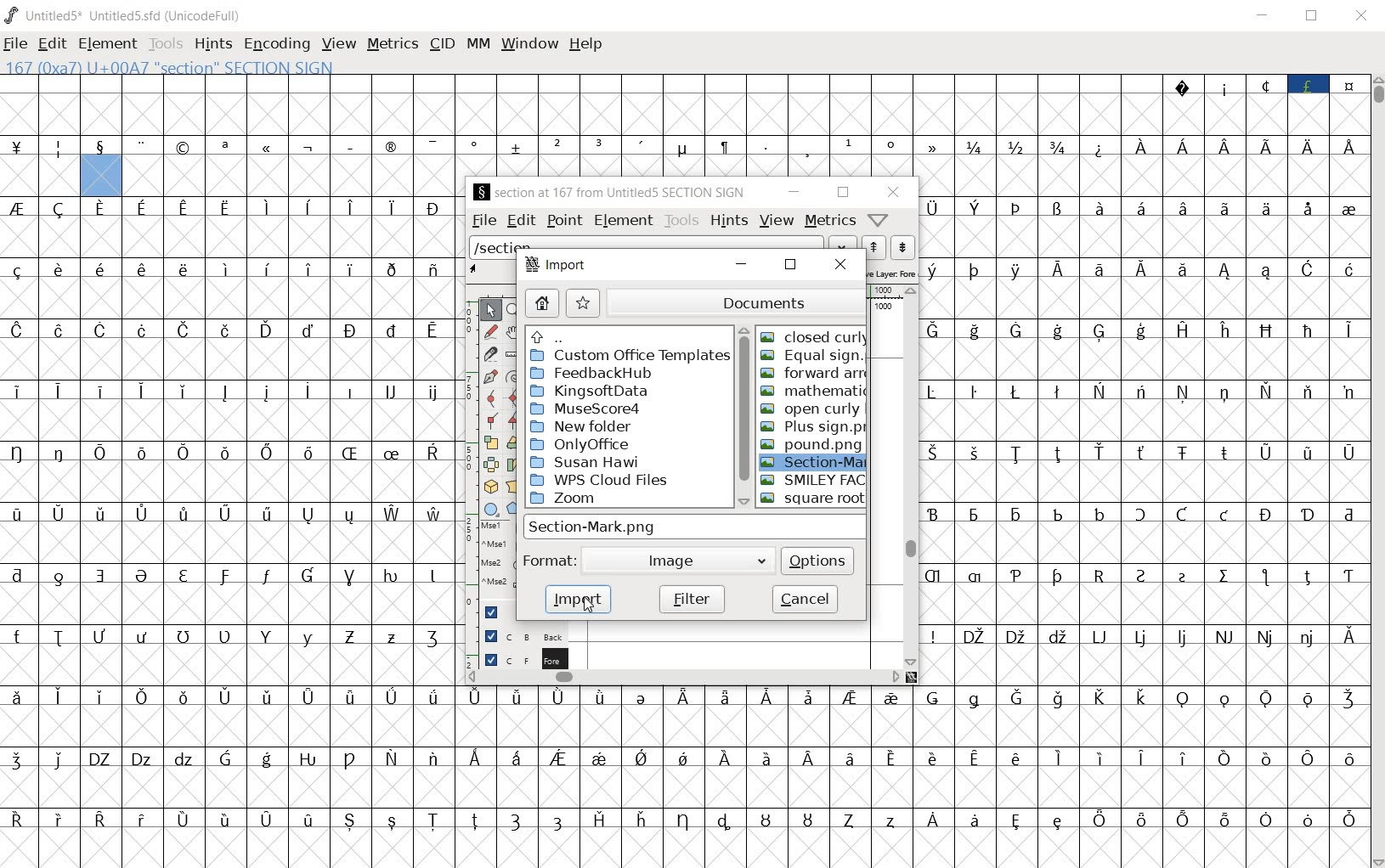 The width and height of the screenshot is (1385, 868). I want to click on special letters, so click(233, 637).